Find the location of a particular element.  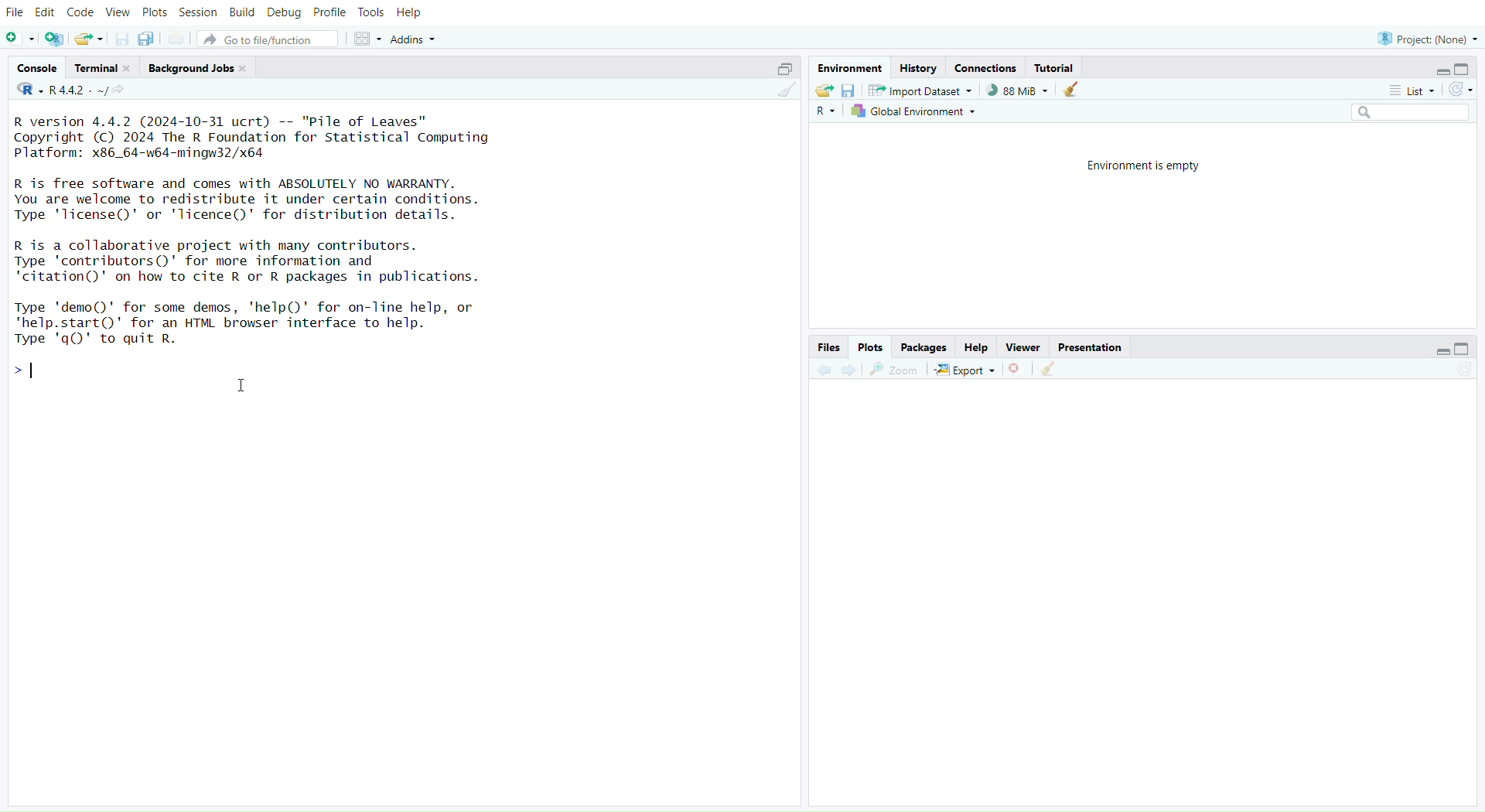

debug is located at coordinates (284, 12).